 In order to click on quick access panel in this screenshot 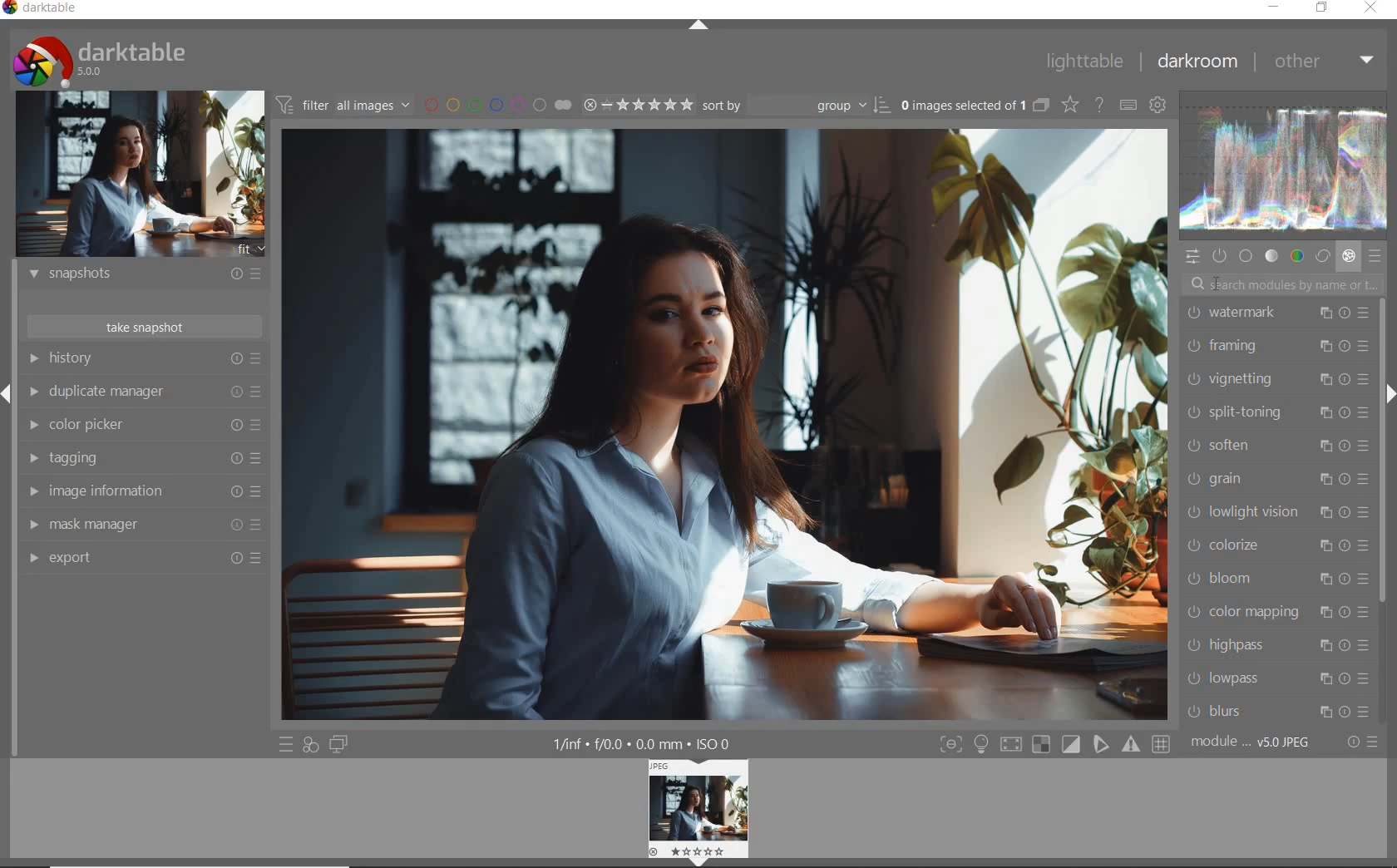, I will do `click(1193, 257)`.